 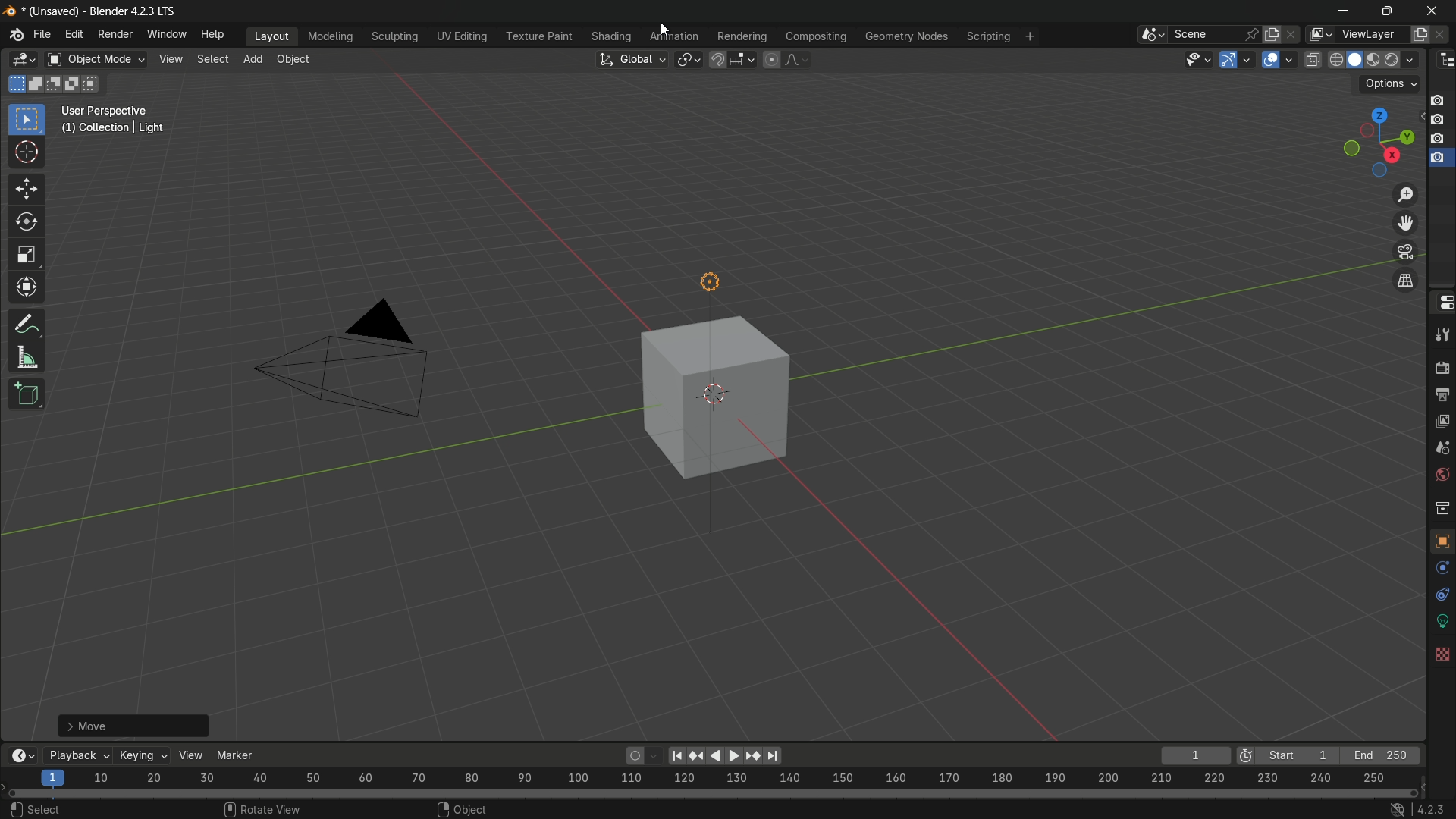 I want to click on playback, so click(x=76, y=755).